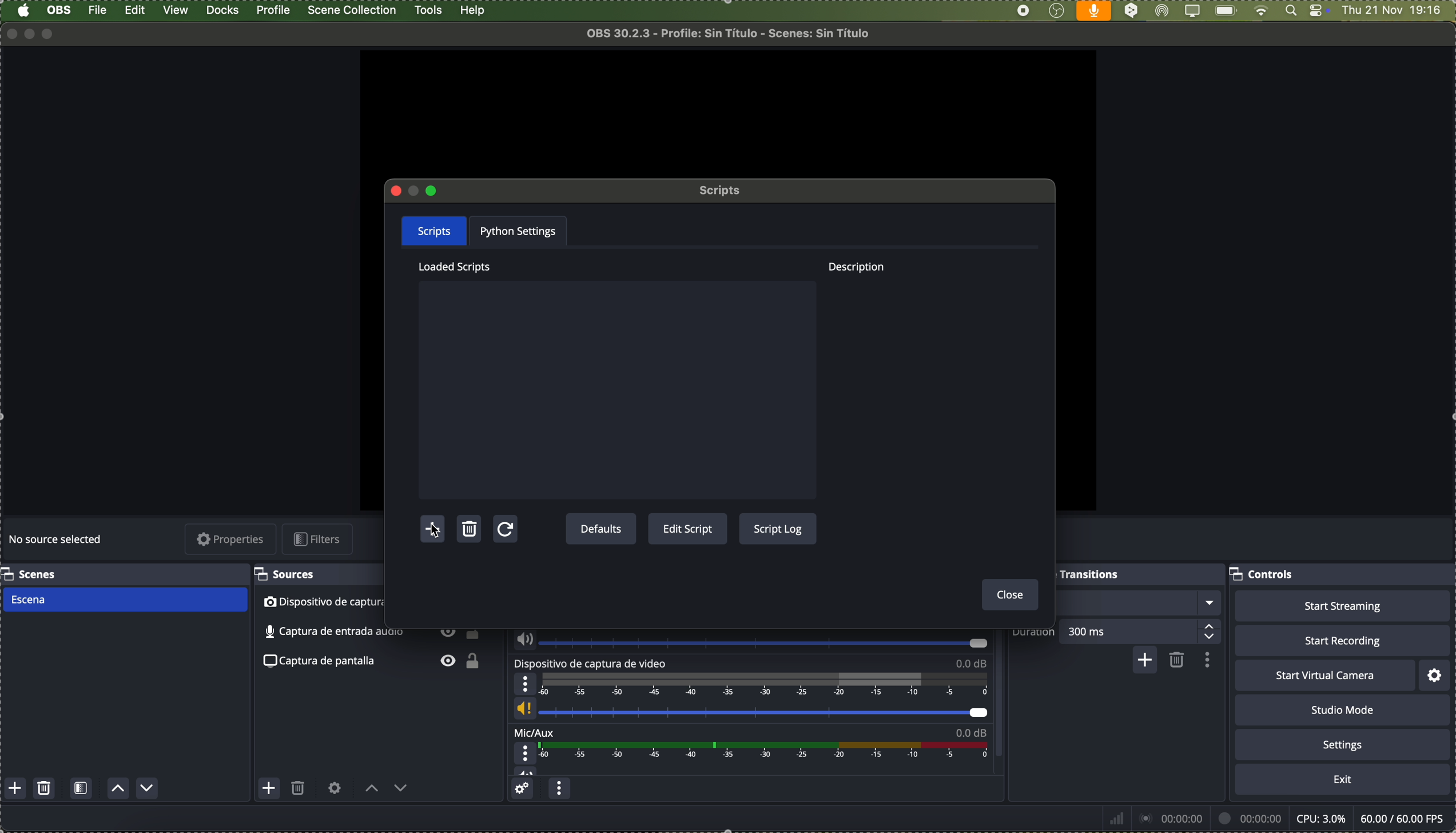 The width and height of the screenshot is (1456, 833). Describe the element at coordinates (1225, 11) in the screenshot. I see `battery` at that location.